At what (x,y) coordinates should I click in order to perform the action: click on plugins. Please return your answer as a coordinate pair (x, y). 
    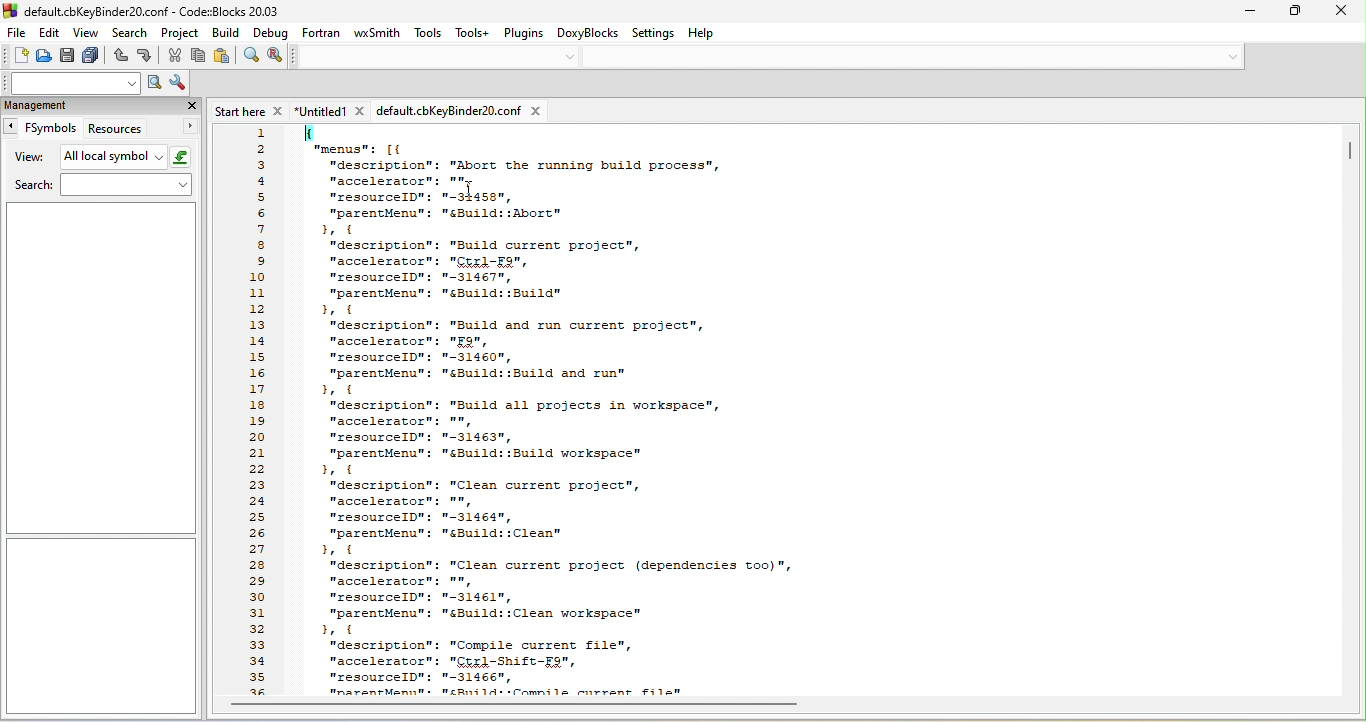
    Looking at the image, I should click on (527, 35).